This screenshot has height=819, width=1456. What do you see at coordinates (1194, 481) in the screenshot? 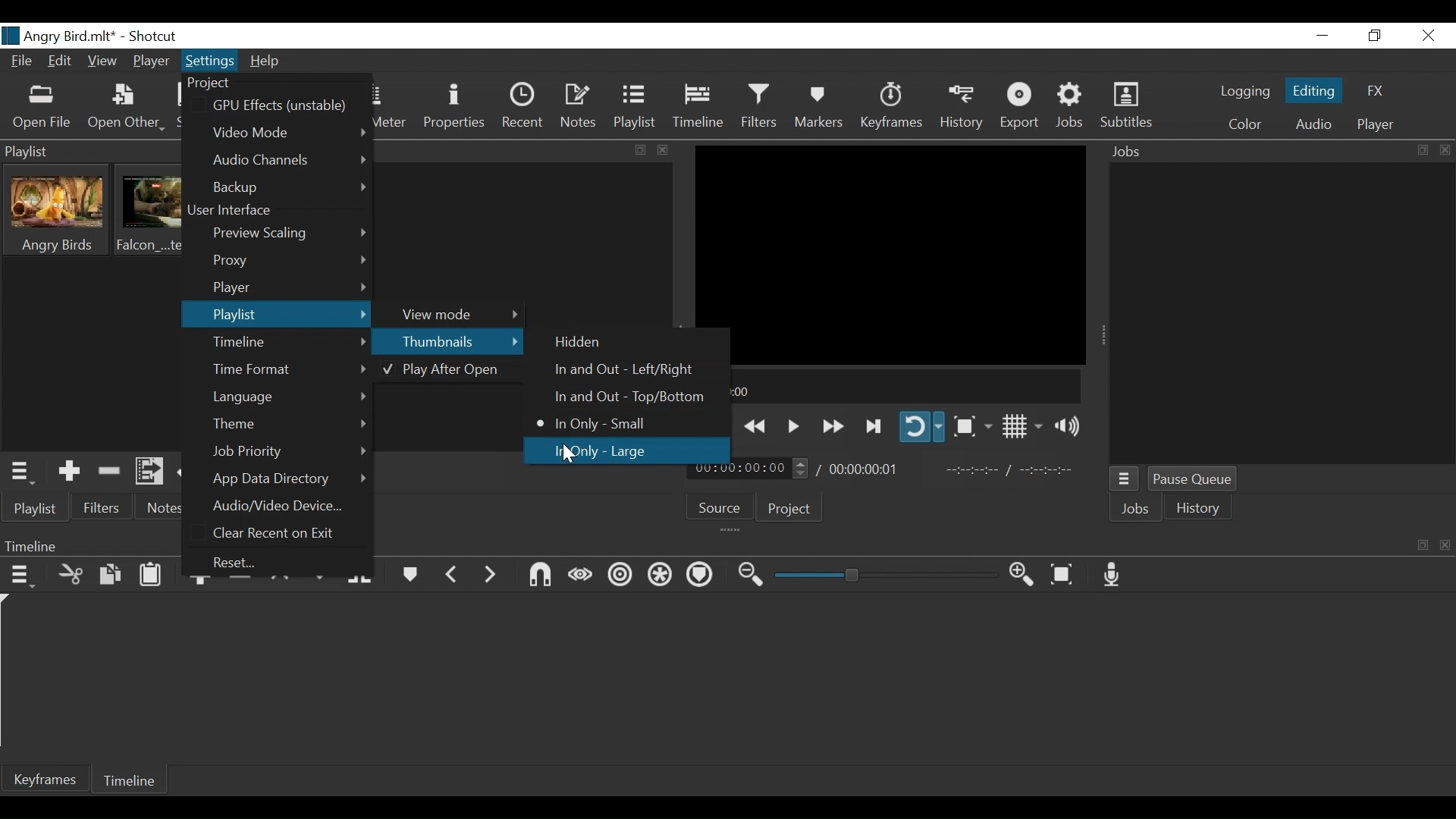
I see `Pause Queue` at bounding box center [1194, 481].